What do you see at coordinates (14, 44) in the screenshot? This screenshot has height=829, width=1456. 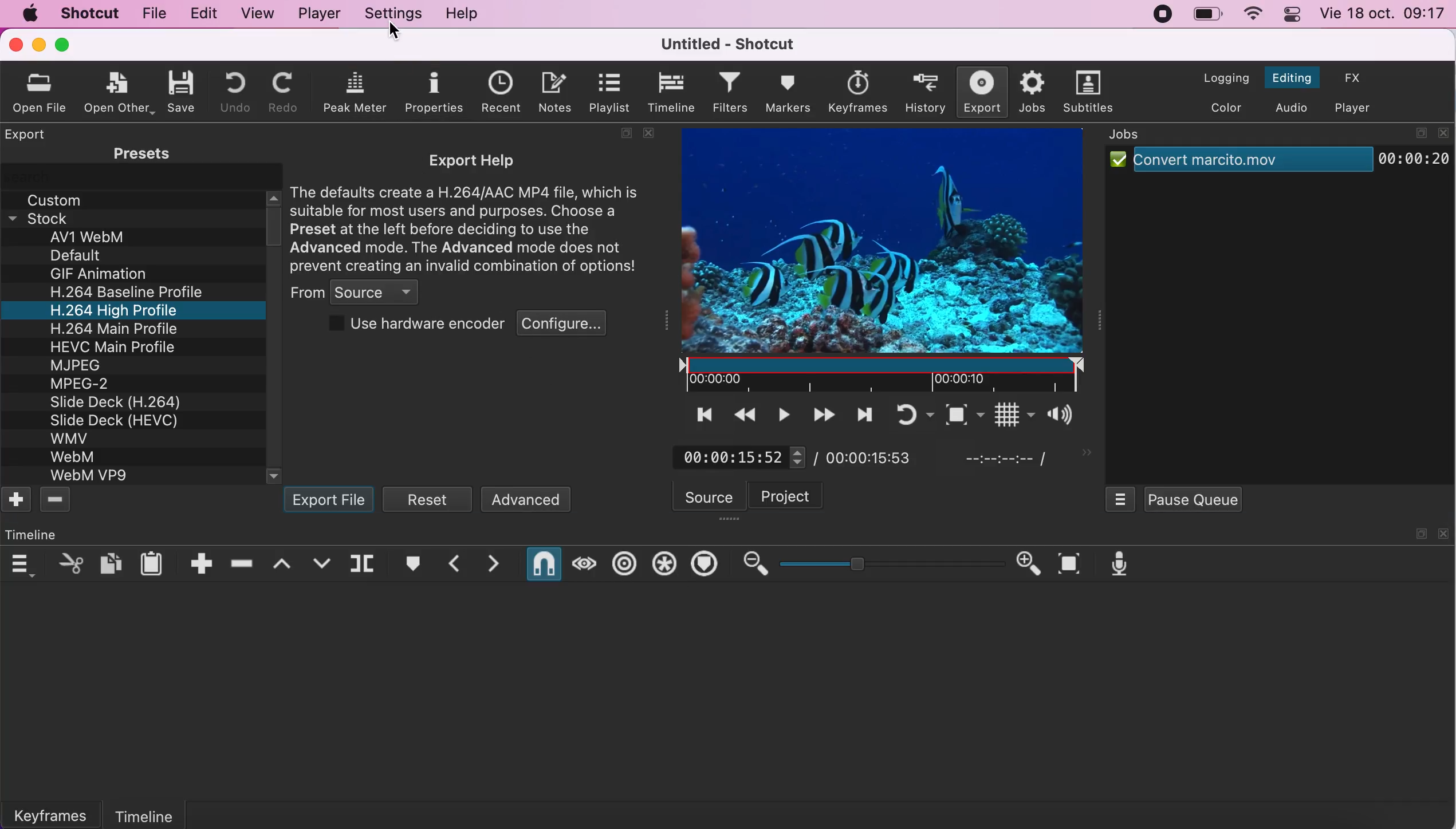 I see `close` at bounding box center [14, 44].